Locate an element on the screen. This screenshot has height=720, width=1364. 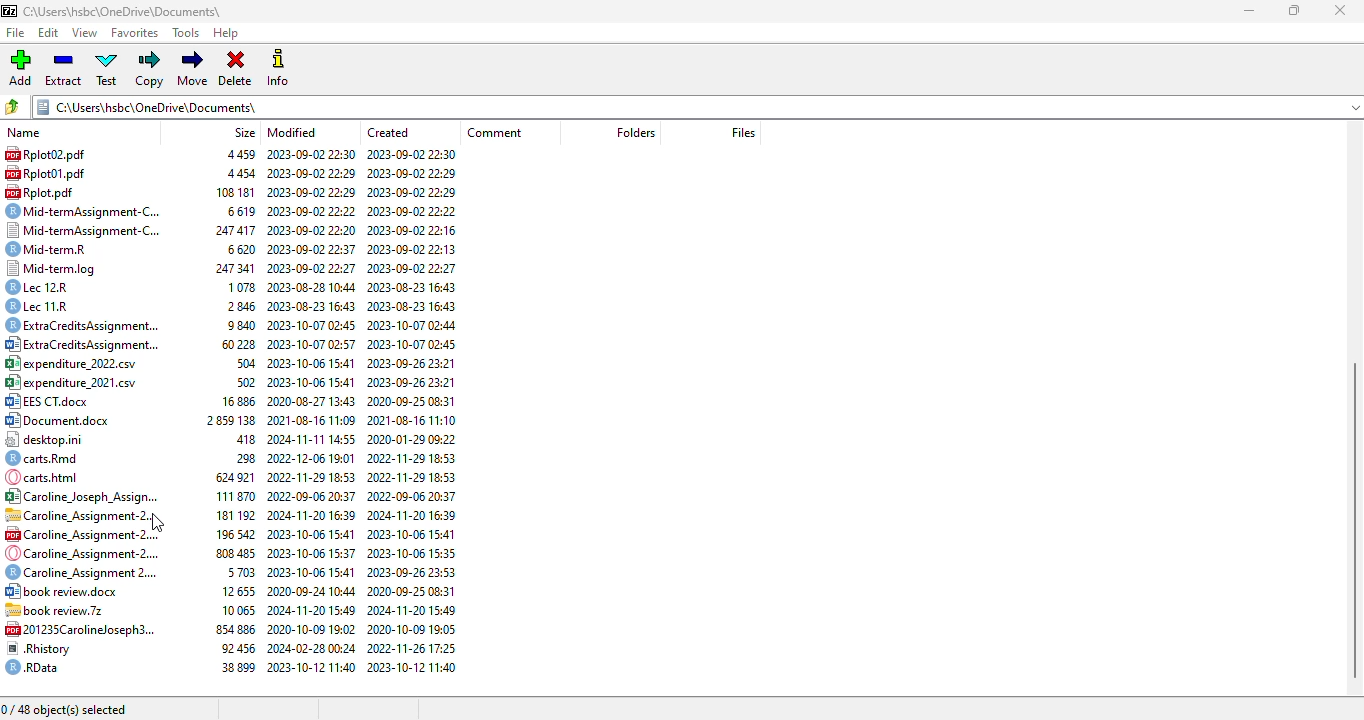
file is located at coordinates (15, 34).